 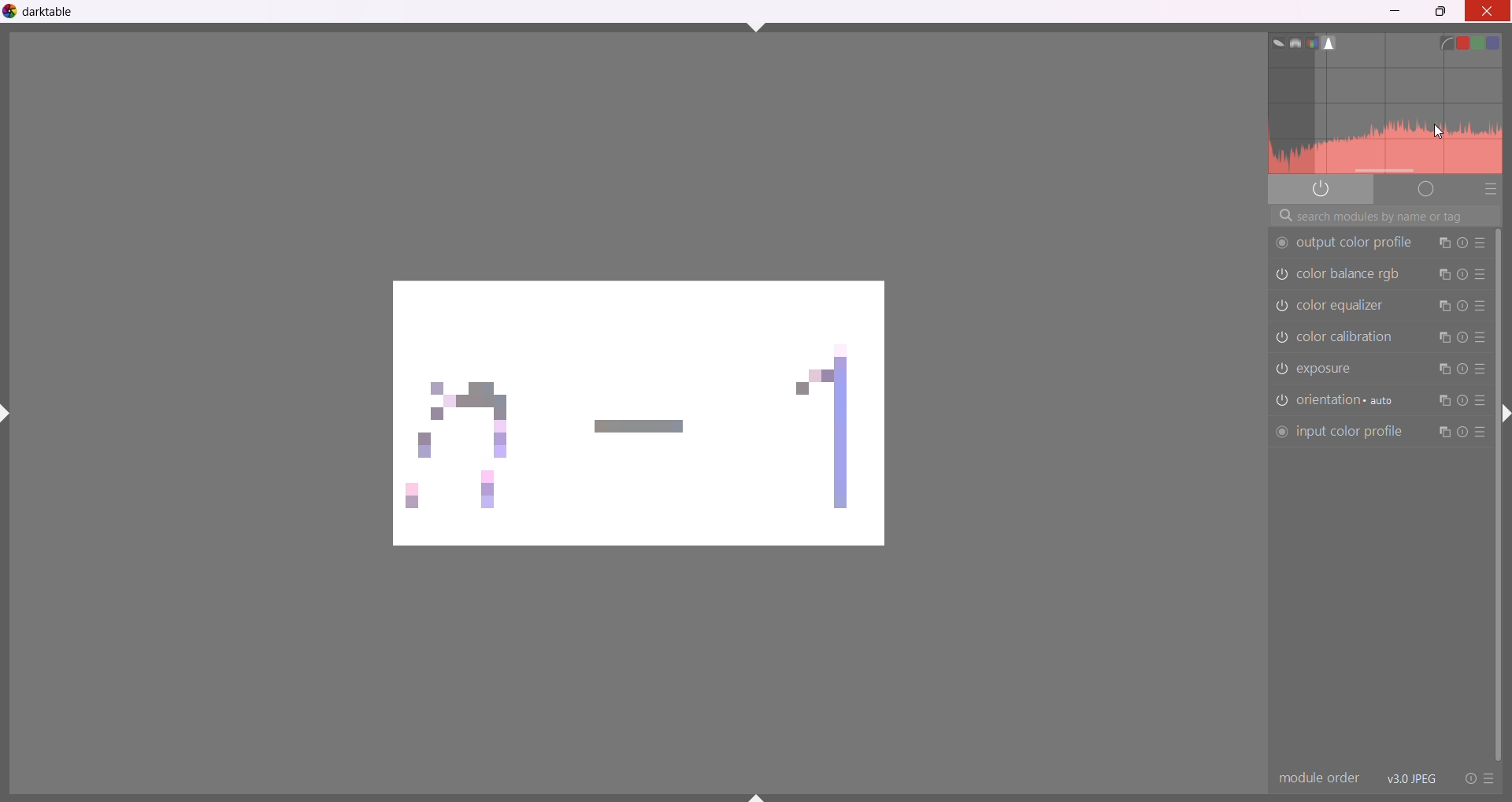 What do you see at coordinates (1443, 276) in the screenshot?
I see `instance` at bounding box center [1443, 276].